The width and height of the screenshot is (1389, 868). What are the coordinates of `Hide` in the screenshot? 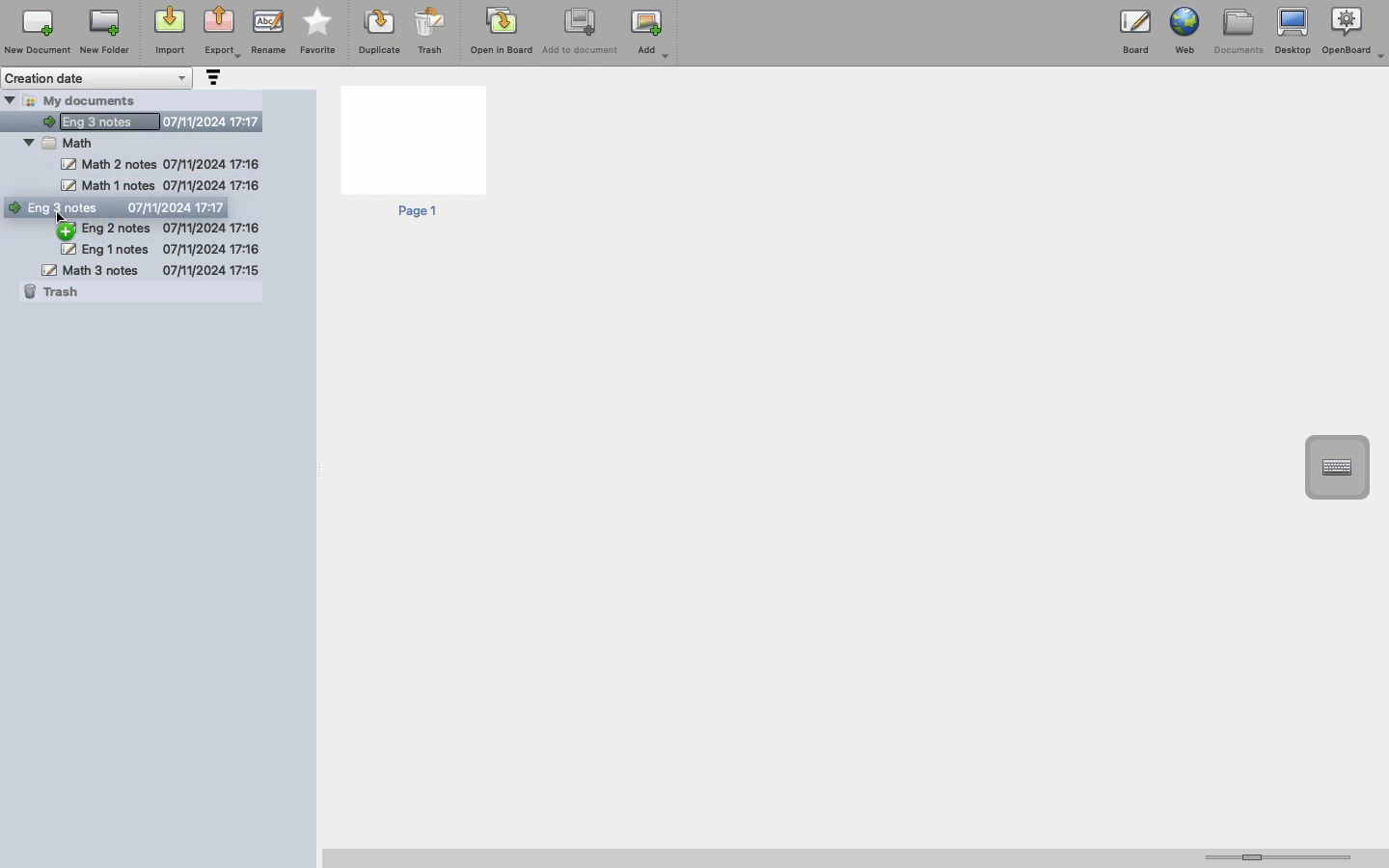 It's located at (27, 140).